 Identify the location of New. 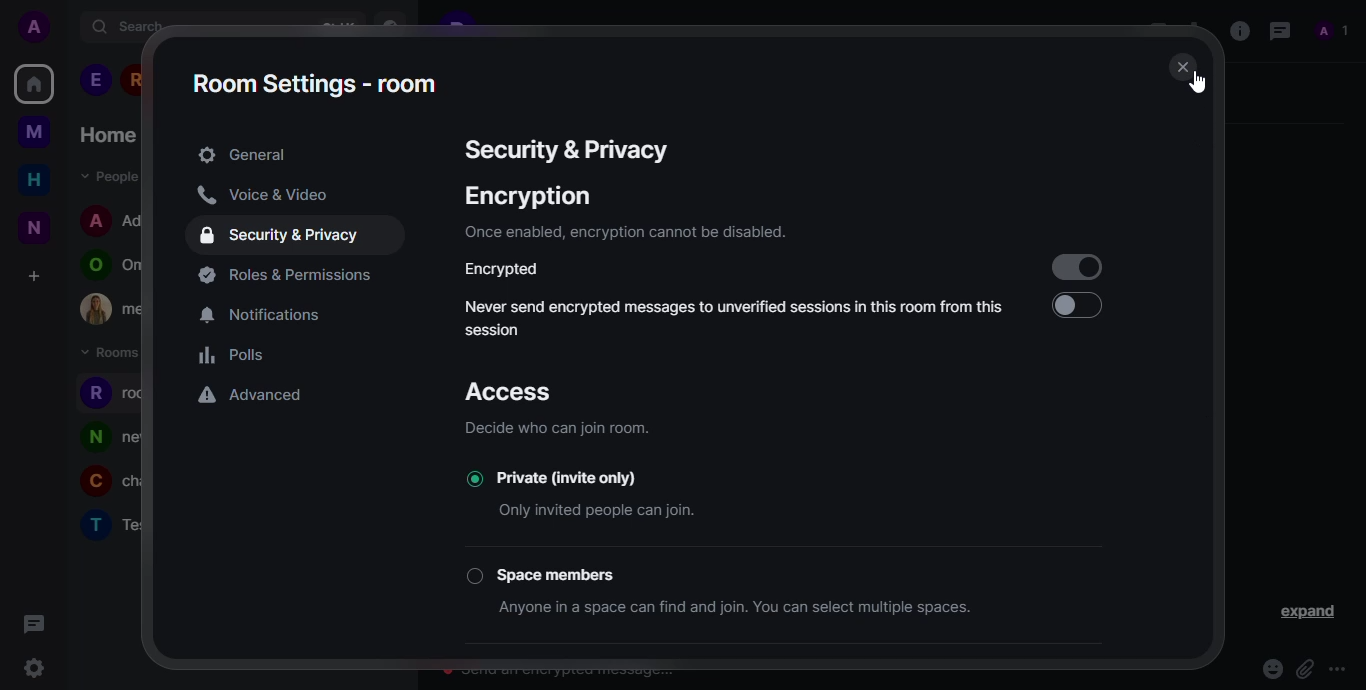
(33, 230).